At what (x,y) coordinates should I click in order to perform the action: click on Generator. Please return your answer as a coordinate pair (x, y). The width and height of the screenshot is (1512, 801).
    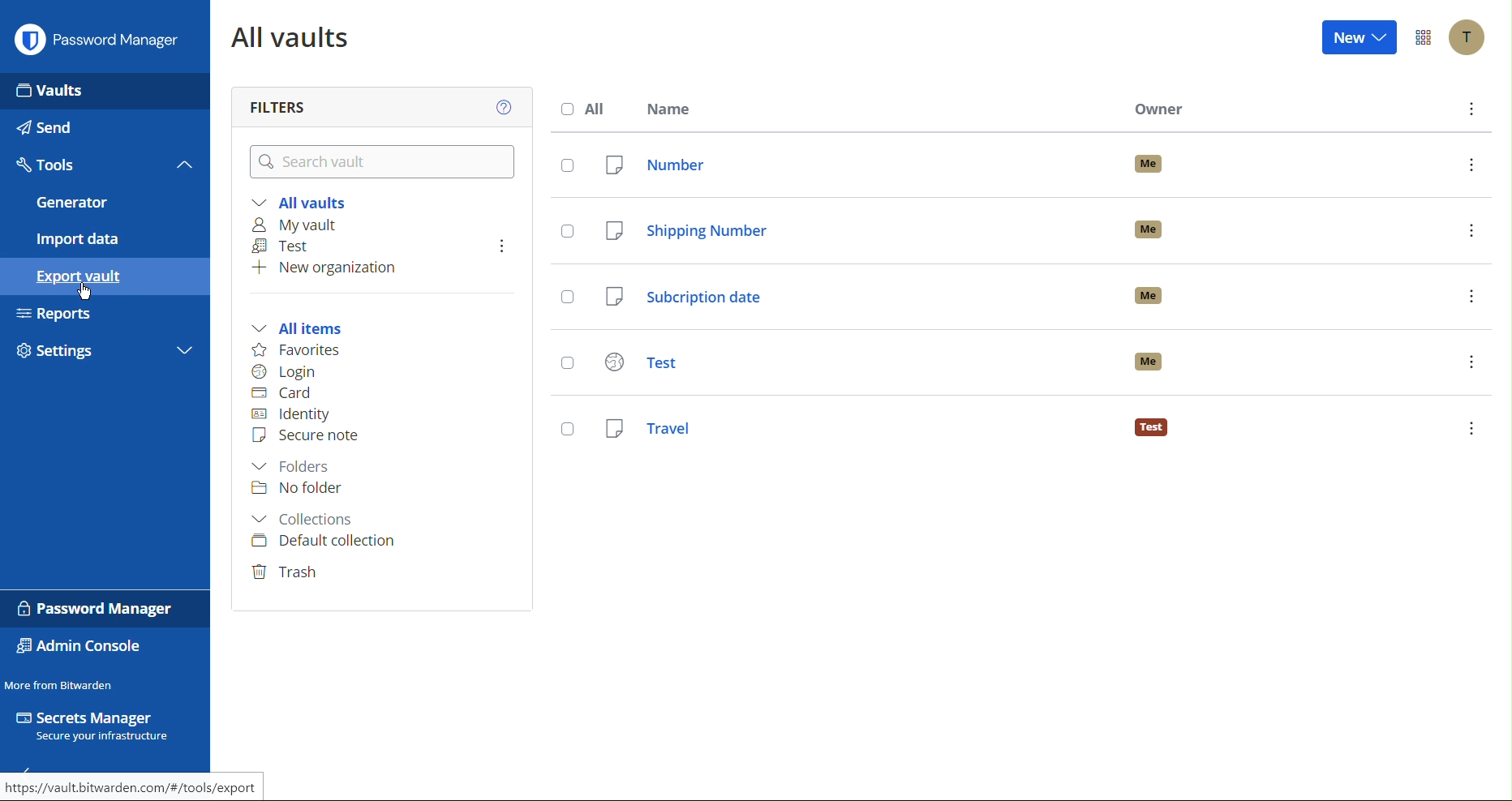
    Looking at the image, I should click on (102, 204).